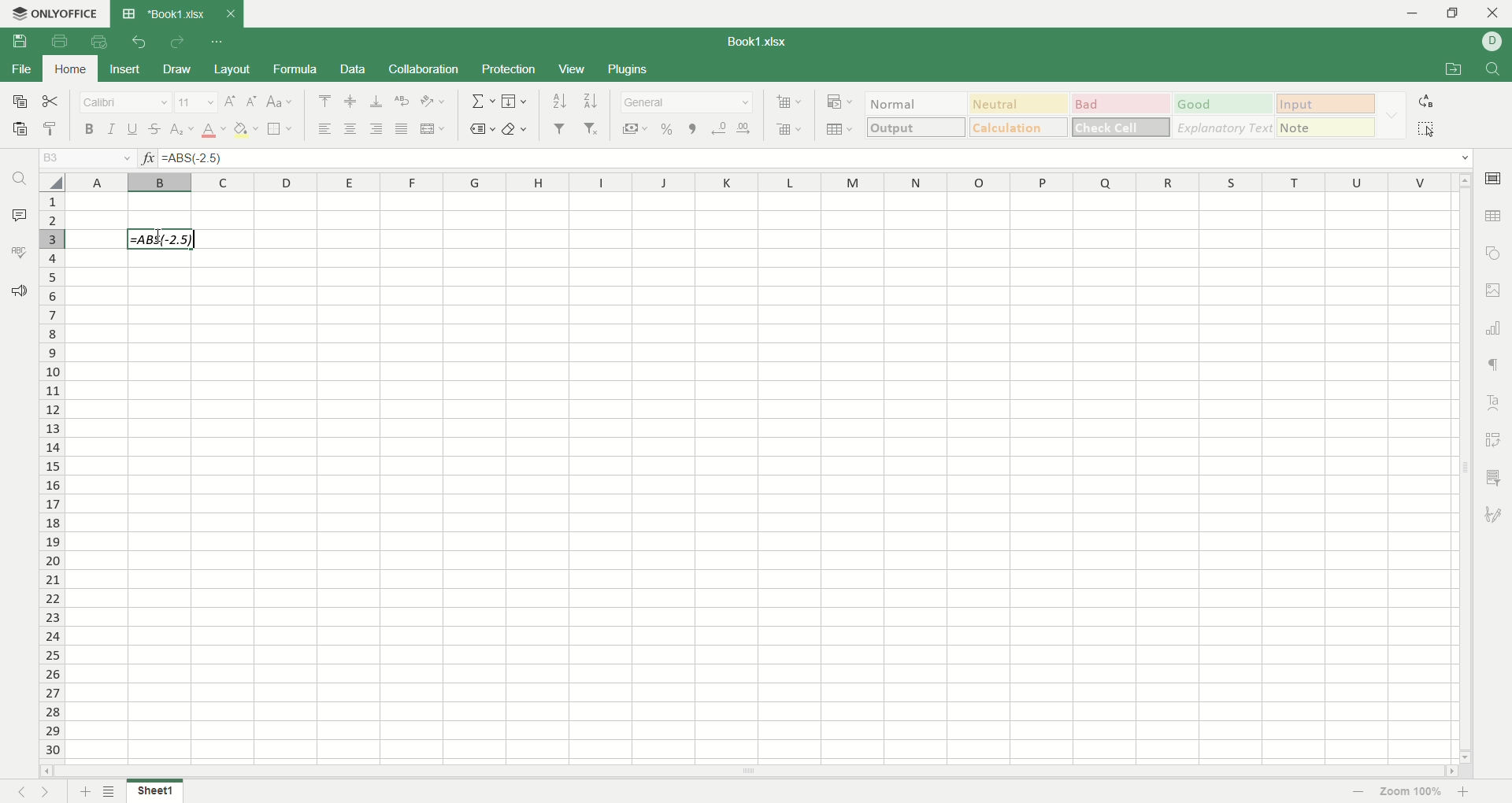 This screenshot has width=1512, height=803. What do you see at coordinates (517, 100) in the screenshot?
I see `fill` at bounding box center [517, 100].